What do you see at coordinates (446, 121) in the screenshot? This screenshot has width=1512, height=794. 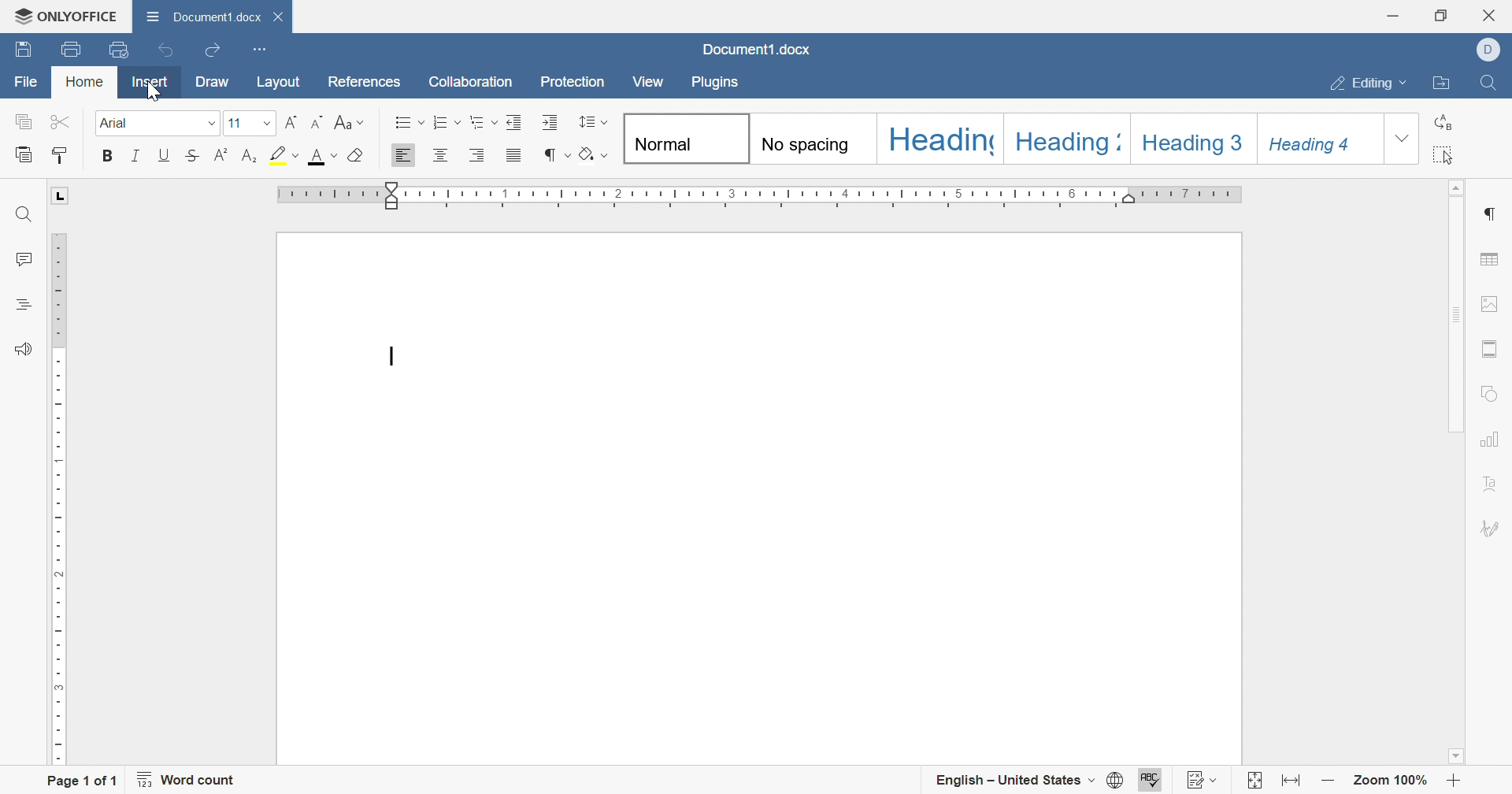 I see `Numbering` at bounding box center [446, 121].